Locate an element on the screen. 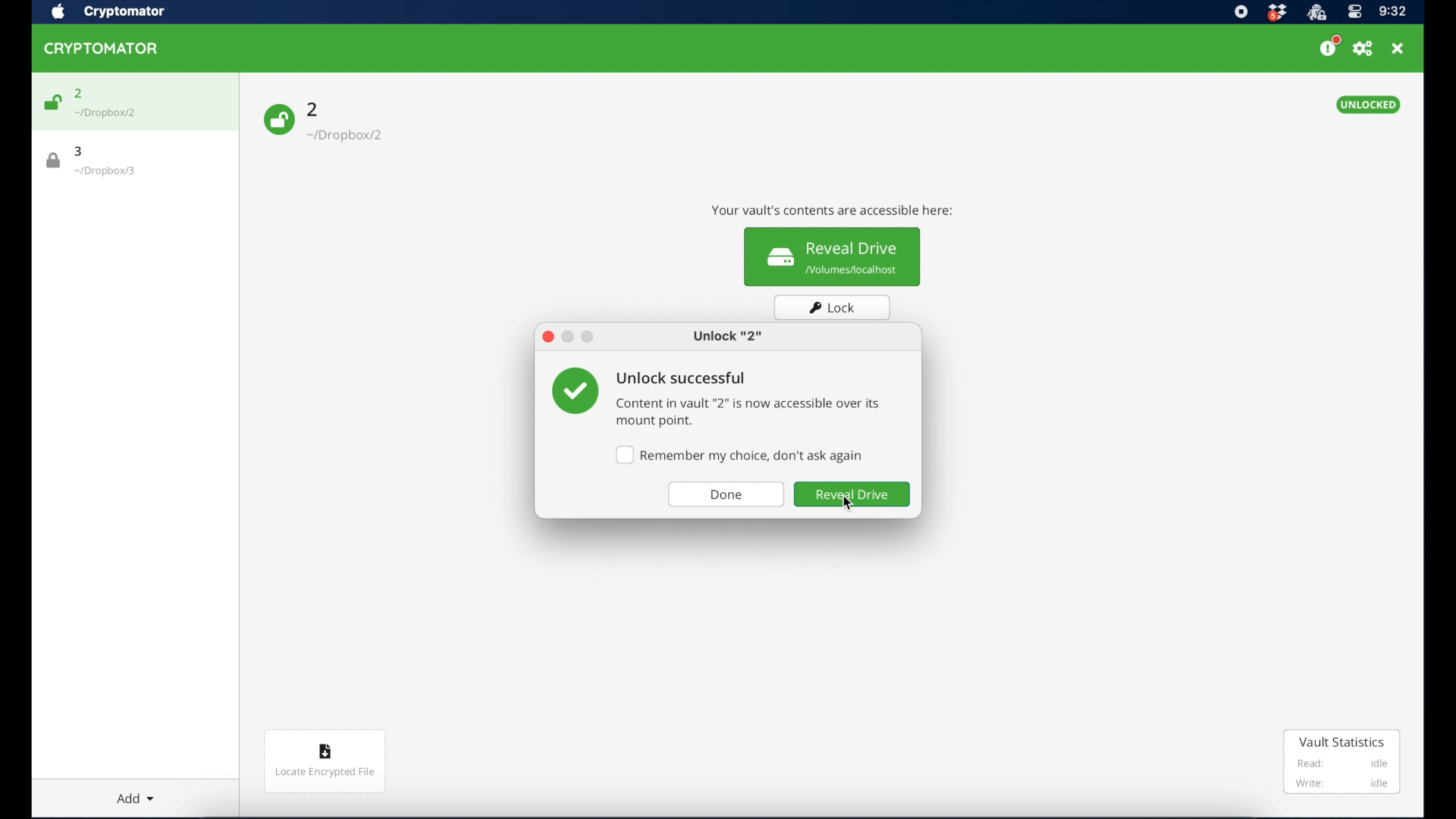 The height and width of the screenshot is (819, 1456). lock icon is located at coordinates (50, 160).